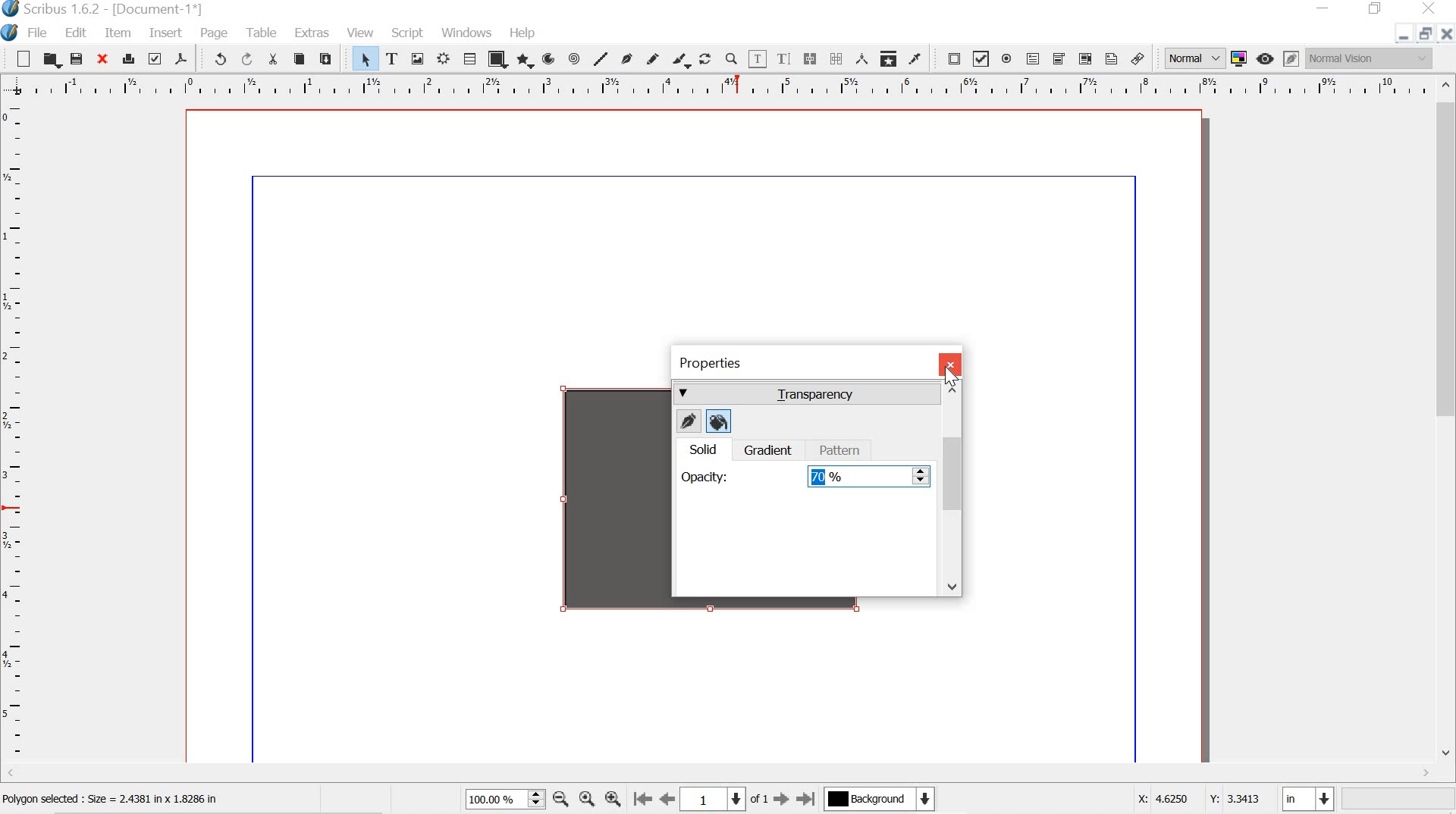 This screenshot has width=1456, height=814. Describe the element at coordinates (888, 57) in the screenshot. I see `copy item properties` at that location.